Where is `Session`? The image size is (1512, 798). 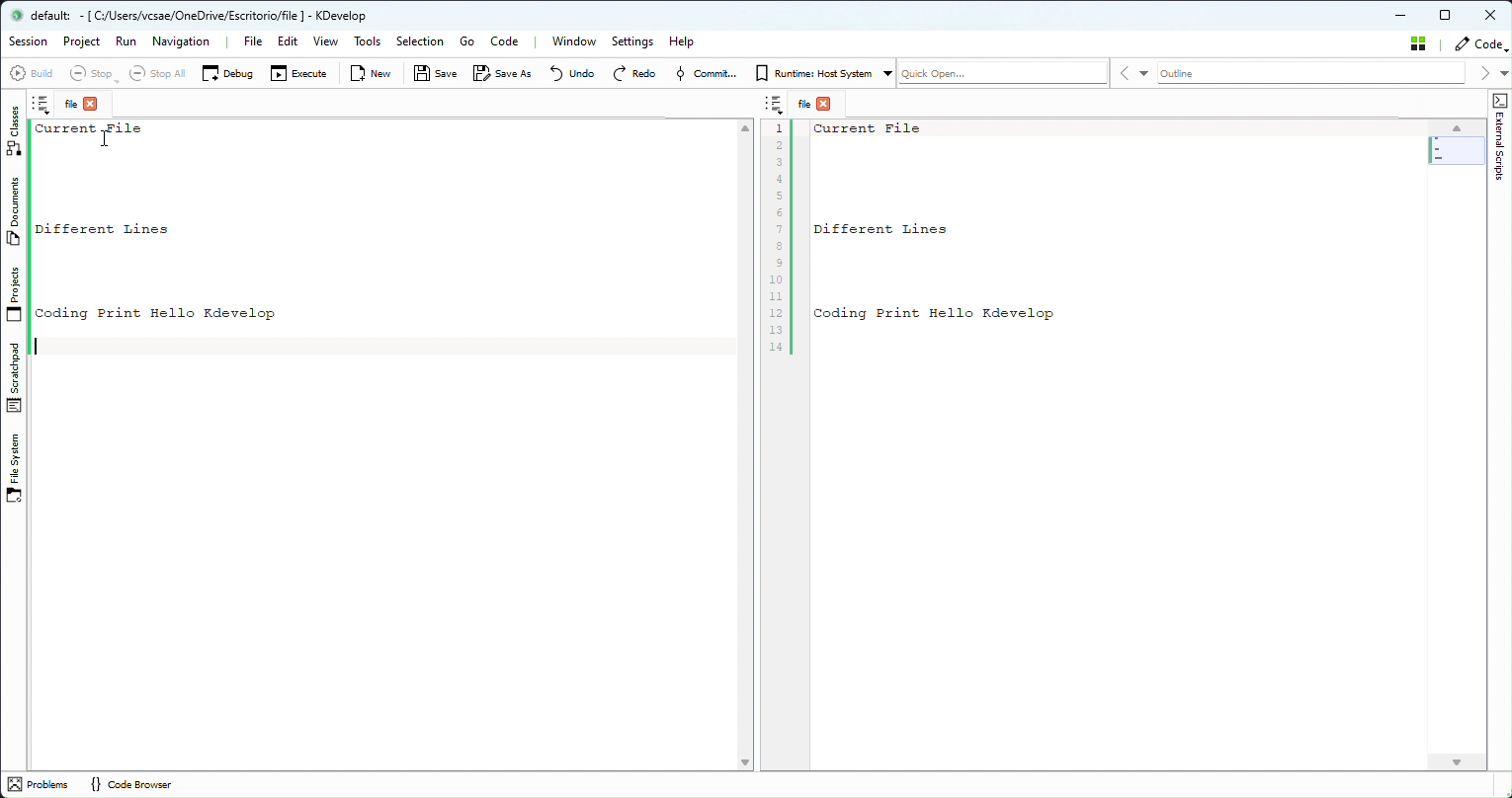 Session is located at coordinates (30, 42).